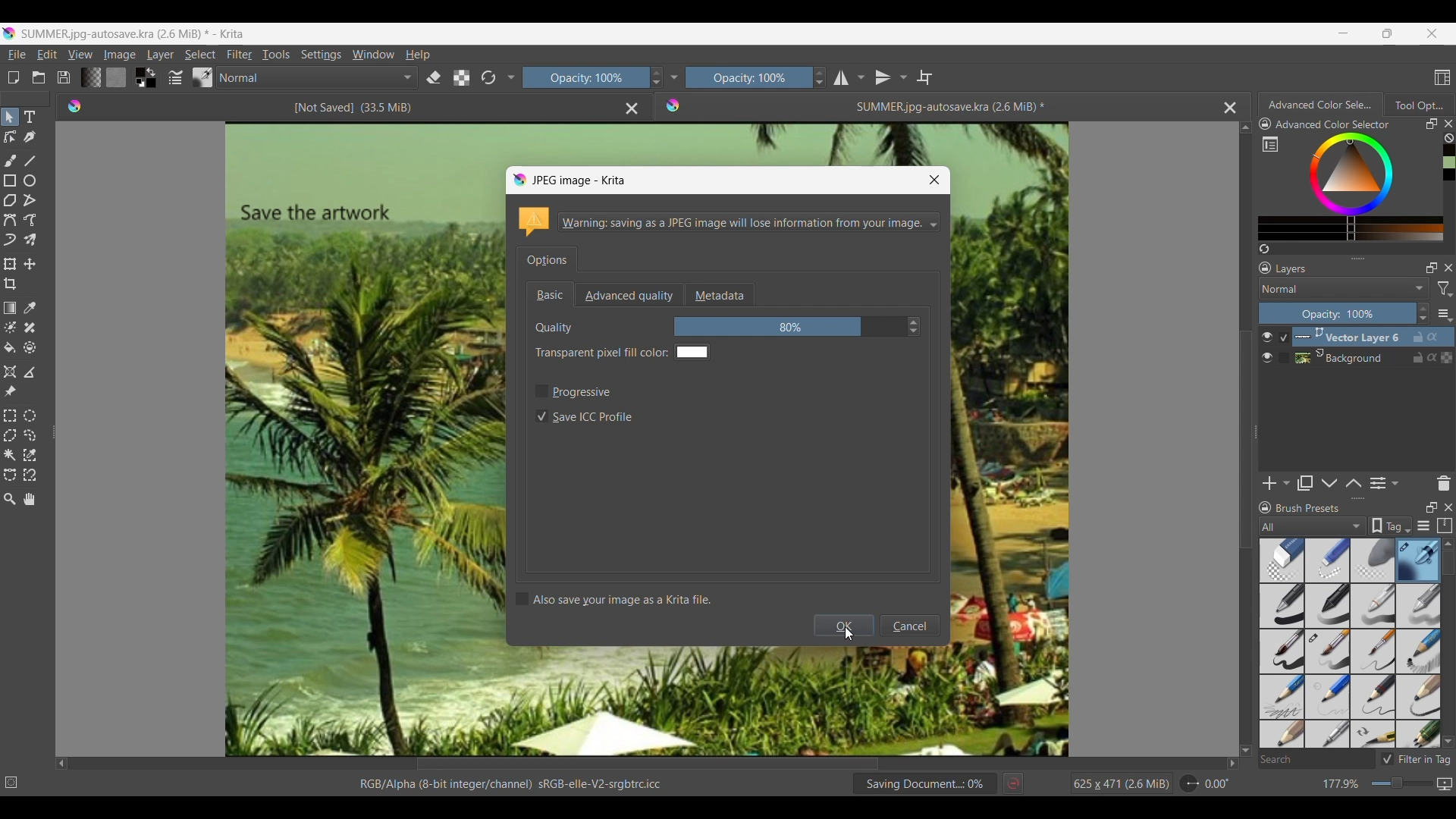  Describe the element at coordinates (1265, 249) in the screenshot. I see `Create a list of colors from the image` at that location.